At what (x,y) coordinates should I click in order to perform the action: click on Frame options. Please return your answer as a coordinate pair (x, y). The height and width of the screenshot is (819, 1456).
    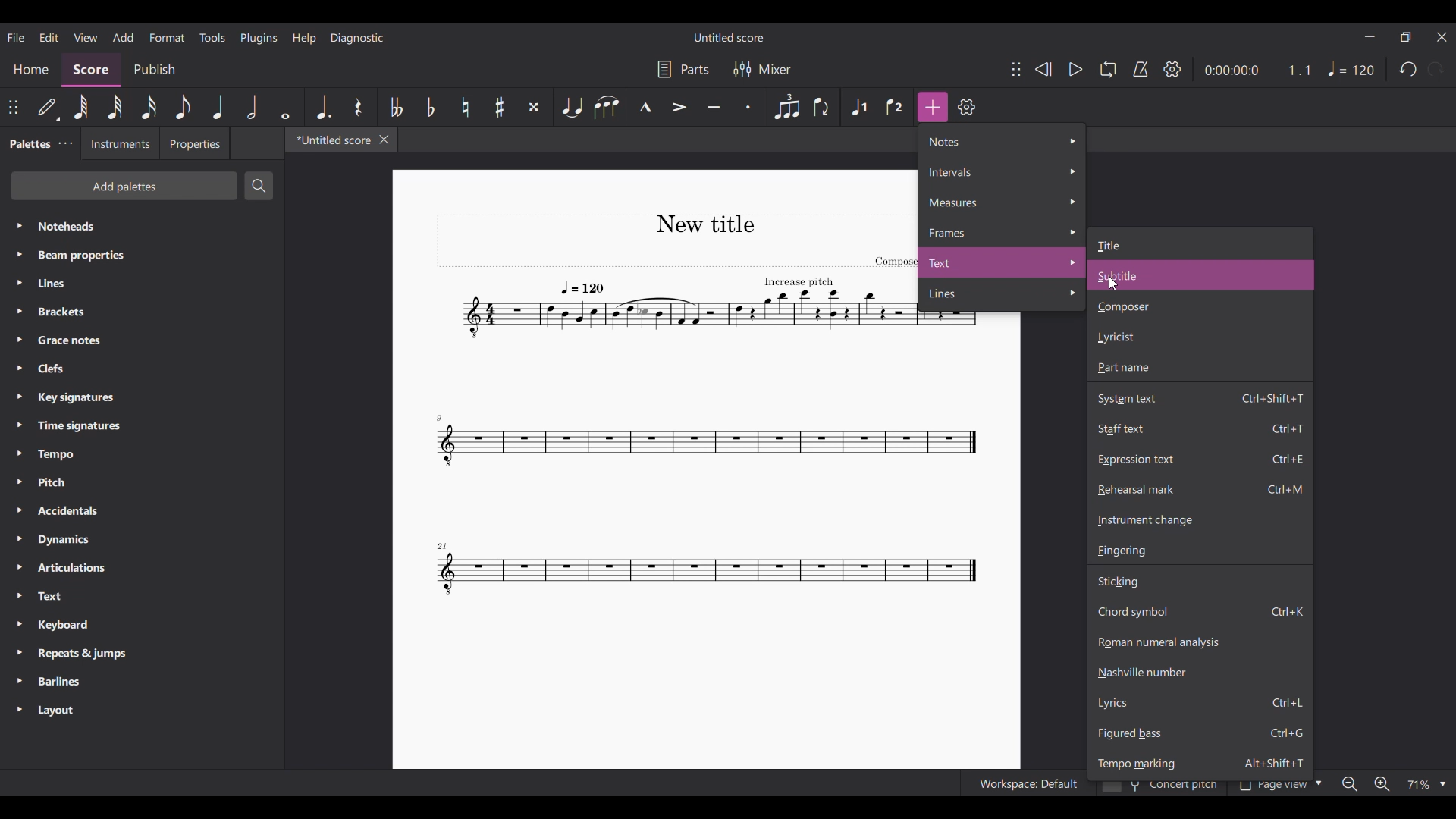
    Looking at the image, I should click on (1002, 231).